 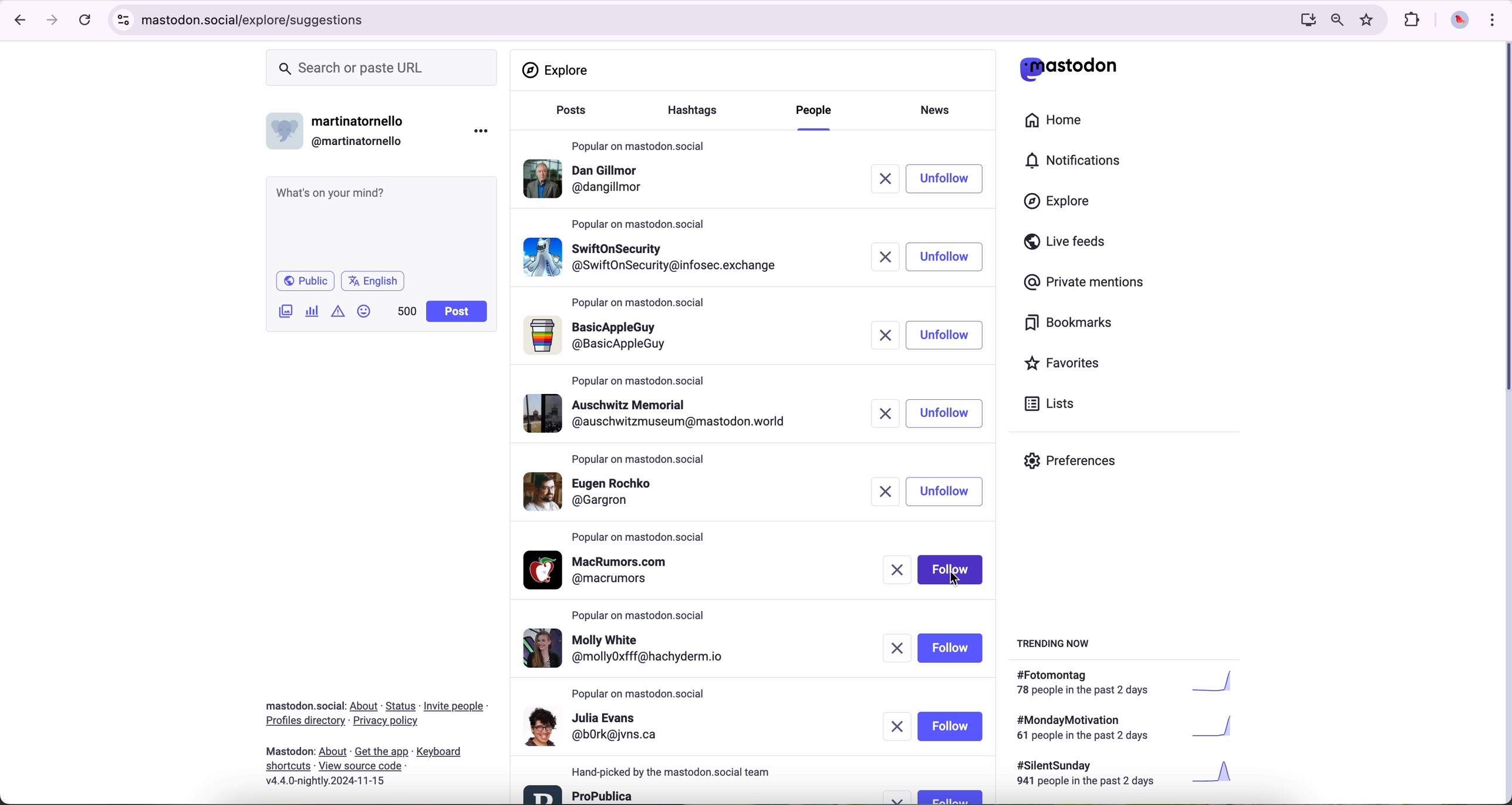 I want to click on attach image, so click(x=286, y=311).